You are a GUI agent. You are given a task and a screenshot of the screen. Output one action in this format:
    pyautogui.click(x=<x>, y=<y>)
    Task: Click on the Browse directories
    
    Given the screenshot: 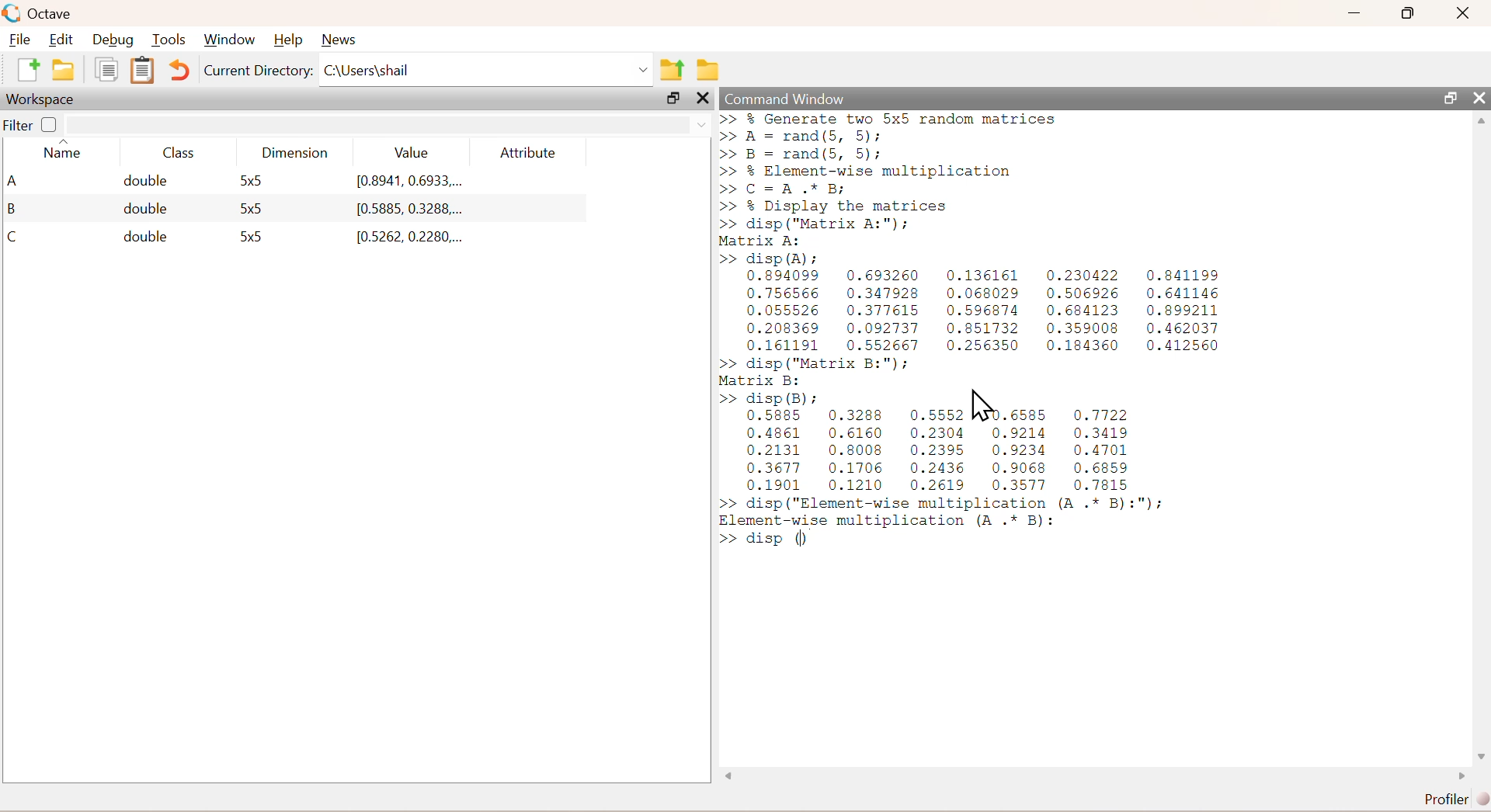 What is the action you would take?
    pyautogui.click(x=708, y=68)
    